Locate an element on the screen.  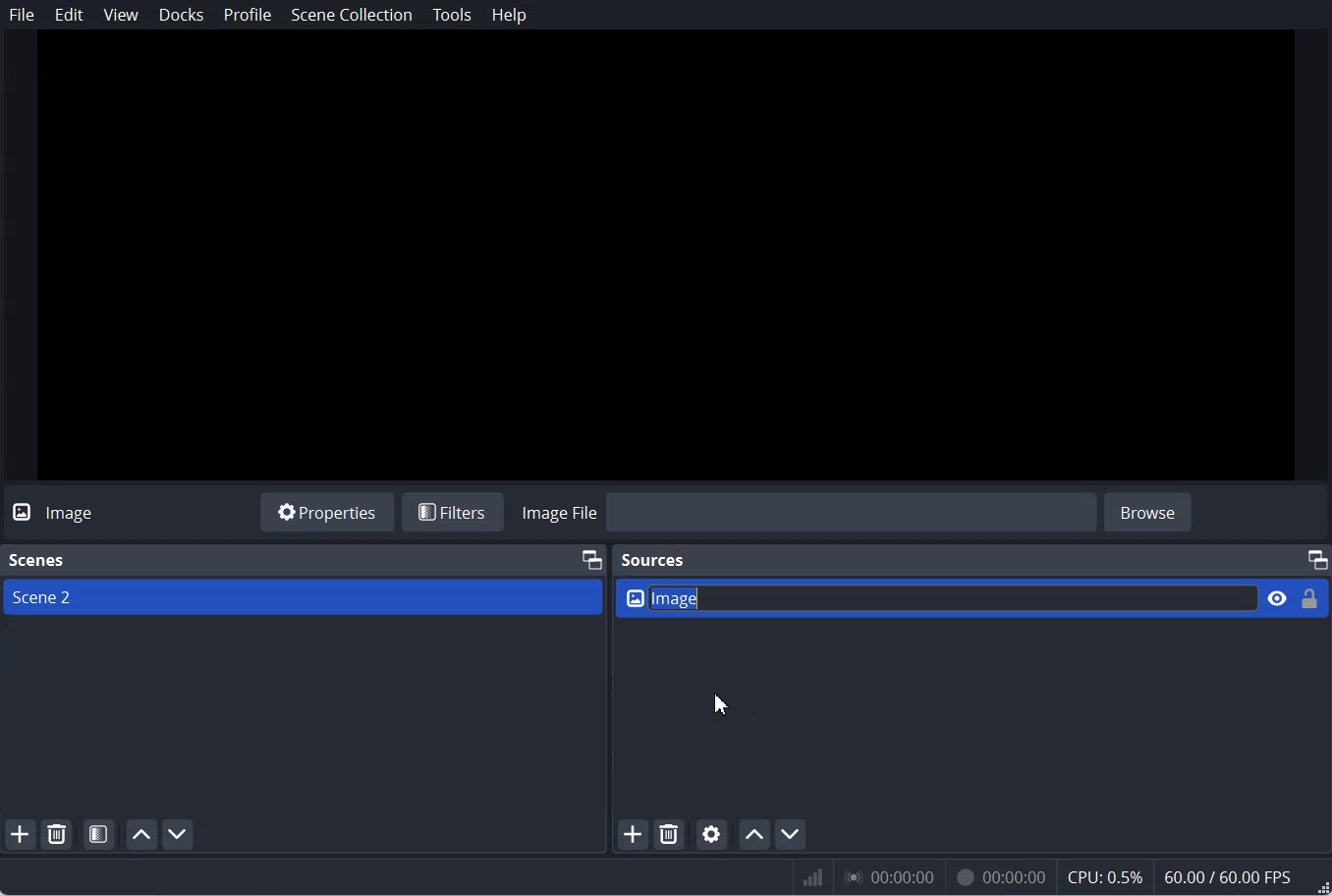
Move scene up is located at coordinates (141, 833).